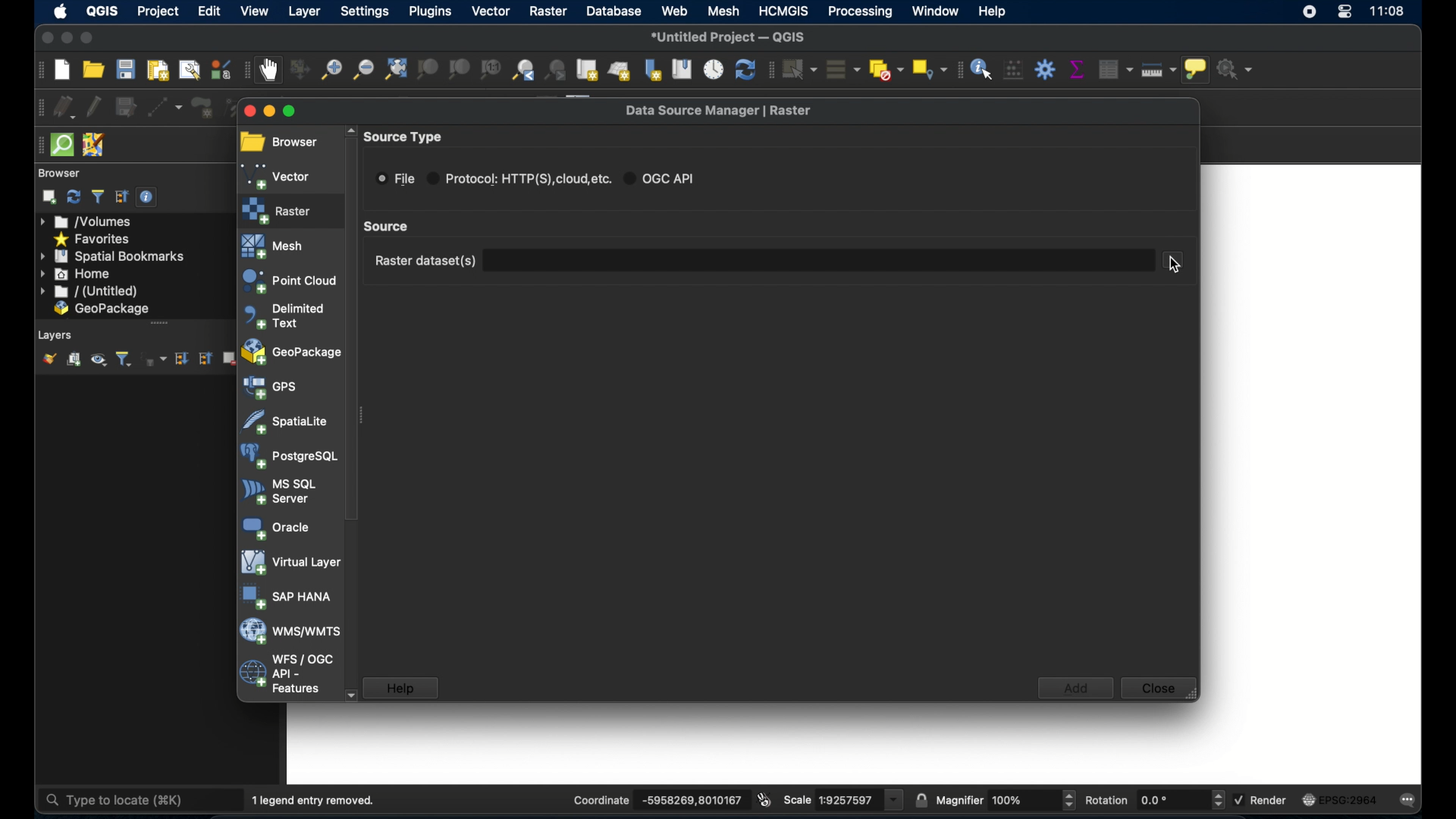  Describe the element at coordinates (271, 71) in the screenshot. I see `pan map` at that location.